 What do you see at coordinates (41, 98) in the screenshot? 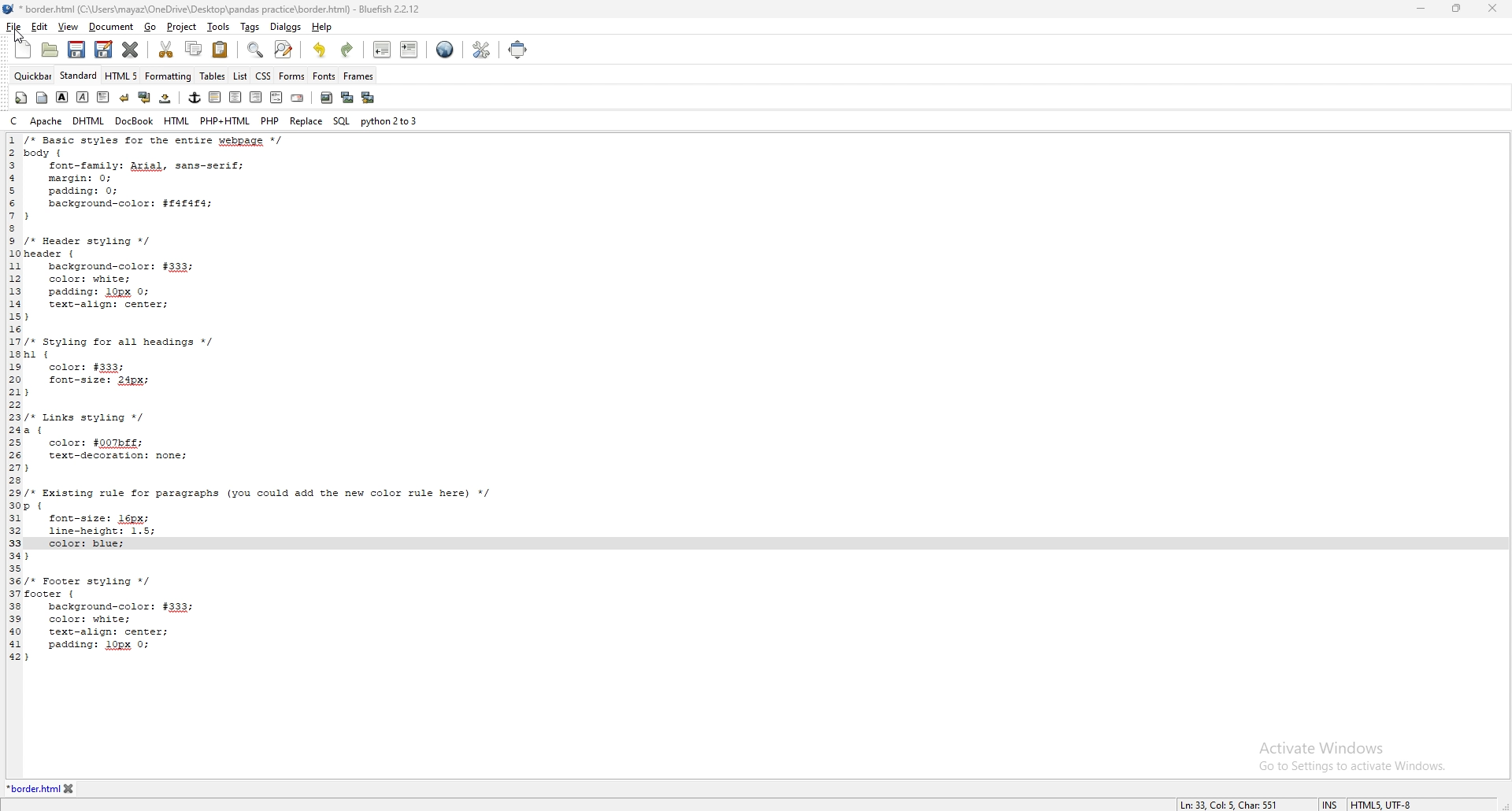
I see `body` at bounding box center [41, 98].